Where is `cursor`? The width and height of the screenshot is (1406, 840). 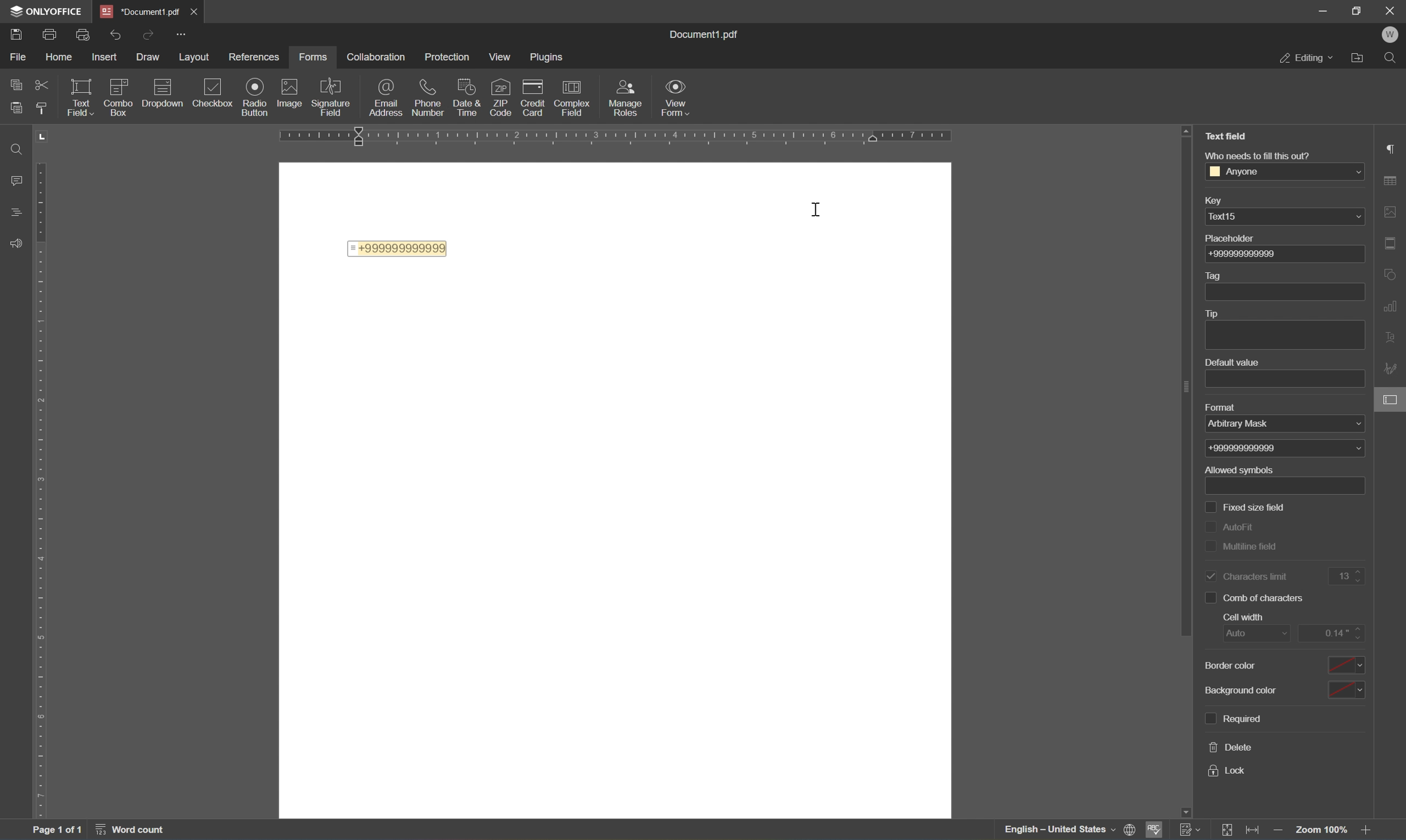
cursor is located at coordinates (1394, 404).